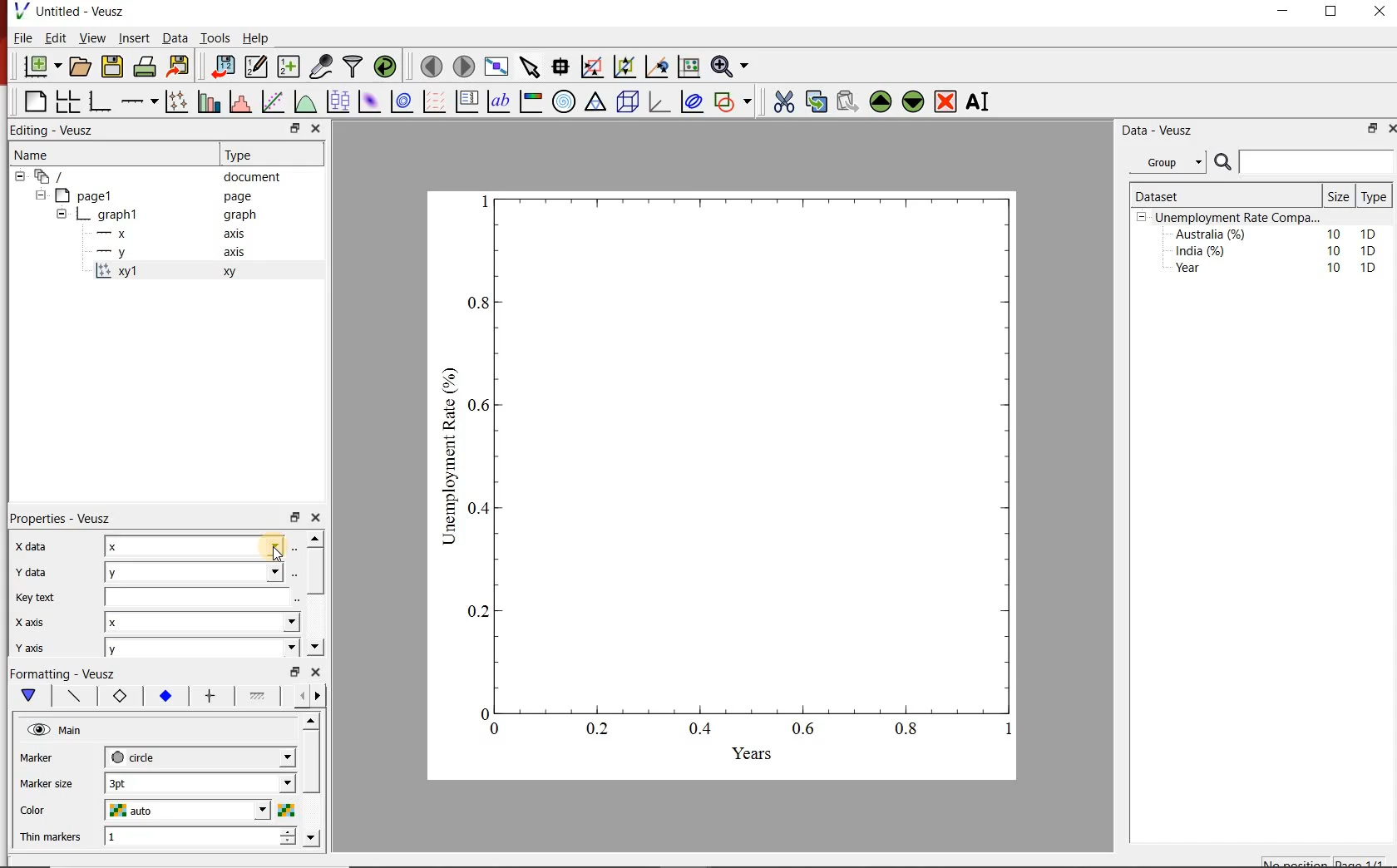 This screenshot has width=1397, height=868. What do you see at coordinates (166, 697) in the screenshot?
I see `marker fill ` at bounding box center [166, 697].